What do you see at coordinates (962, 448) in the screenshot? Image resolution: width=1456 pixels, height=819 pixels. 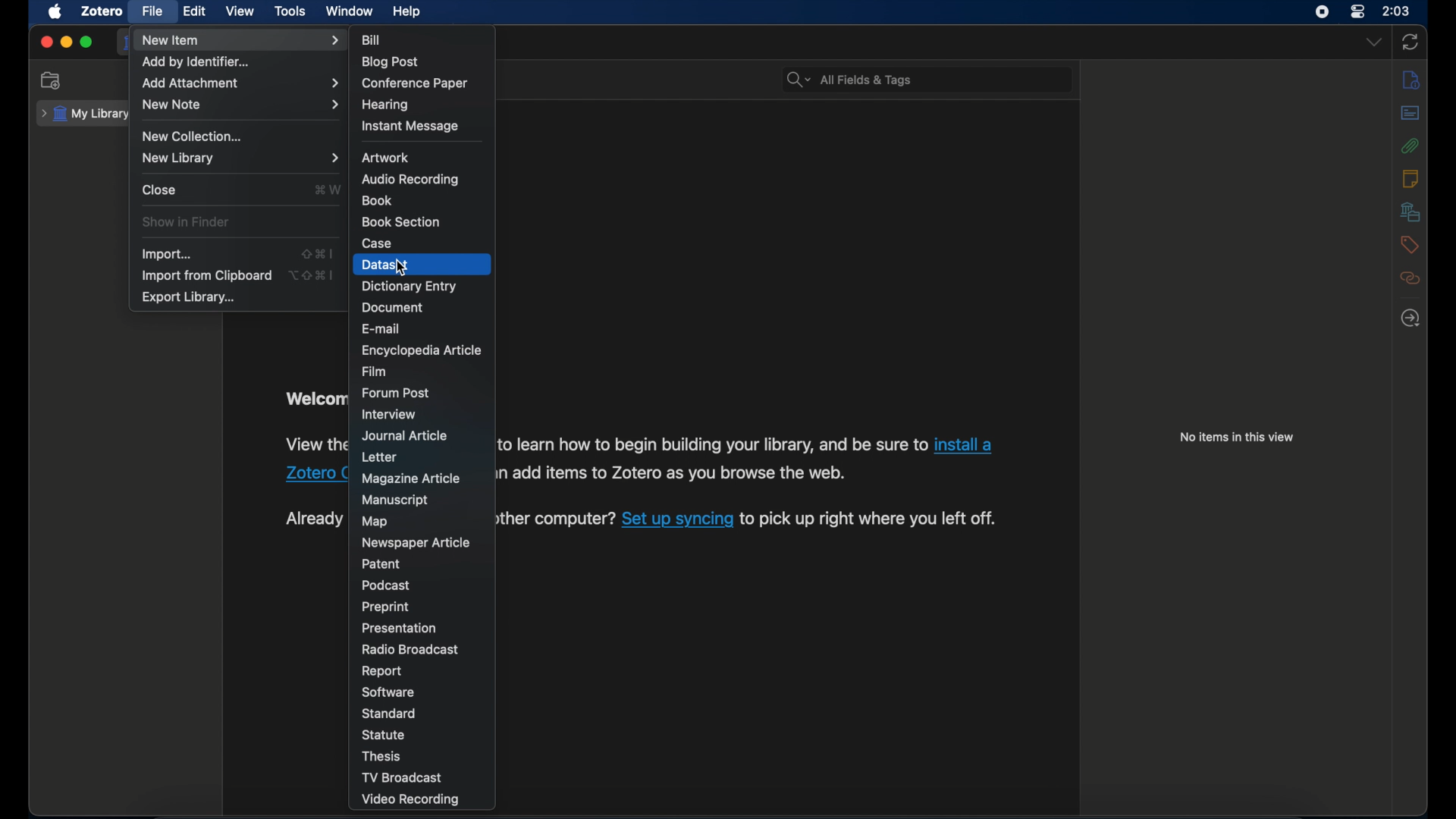 I see `` at bounding box center [962, 448].